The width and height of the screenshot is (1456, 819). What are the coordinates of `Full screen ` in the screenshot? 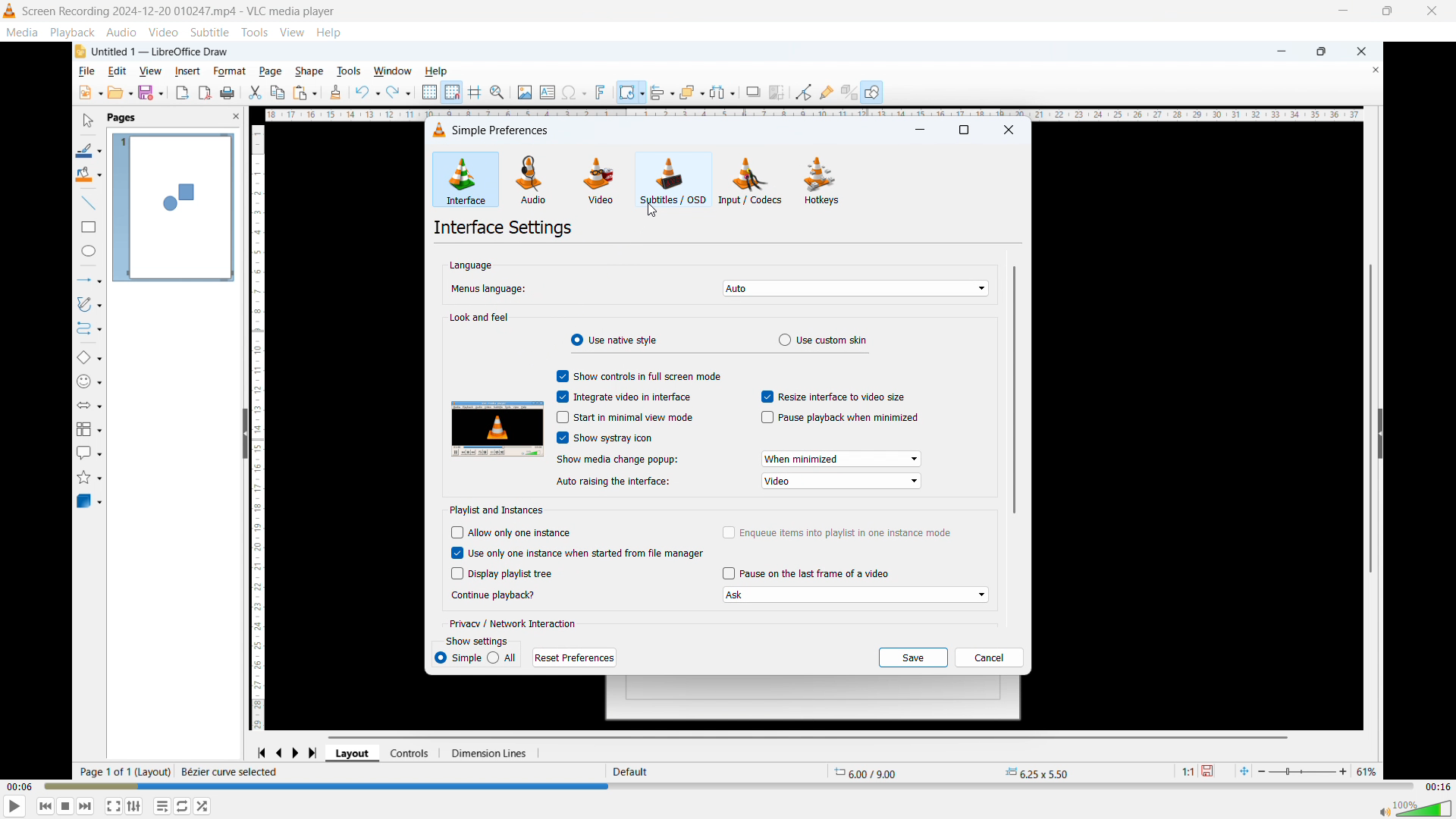 It's located at (114, 806).